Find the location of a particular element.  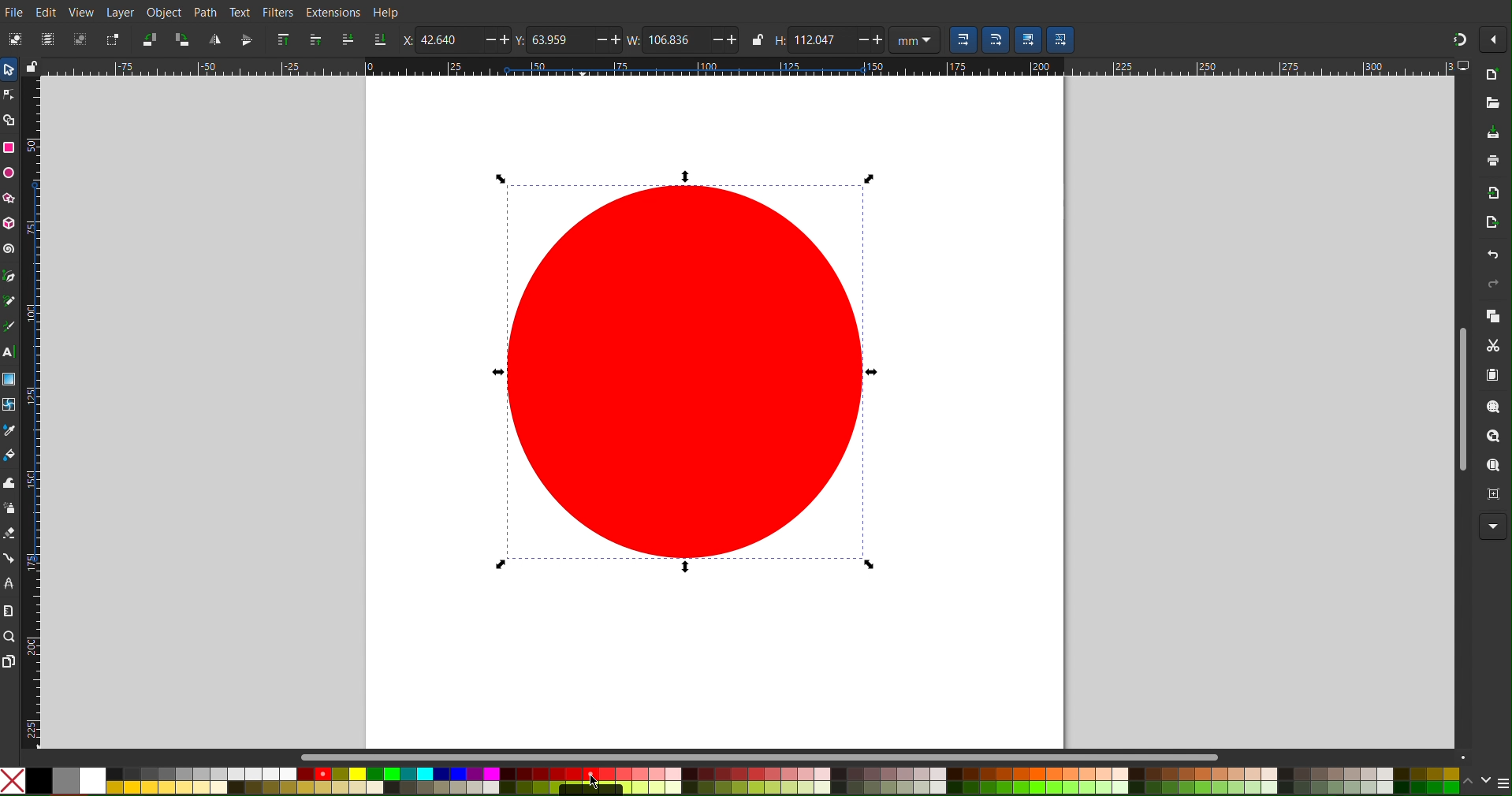

Scaling Option 4 is located at coordinates (1061, 40).